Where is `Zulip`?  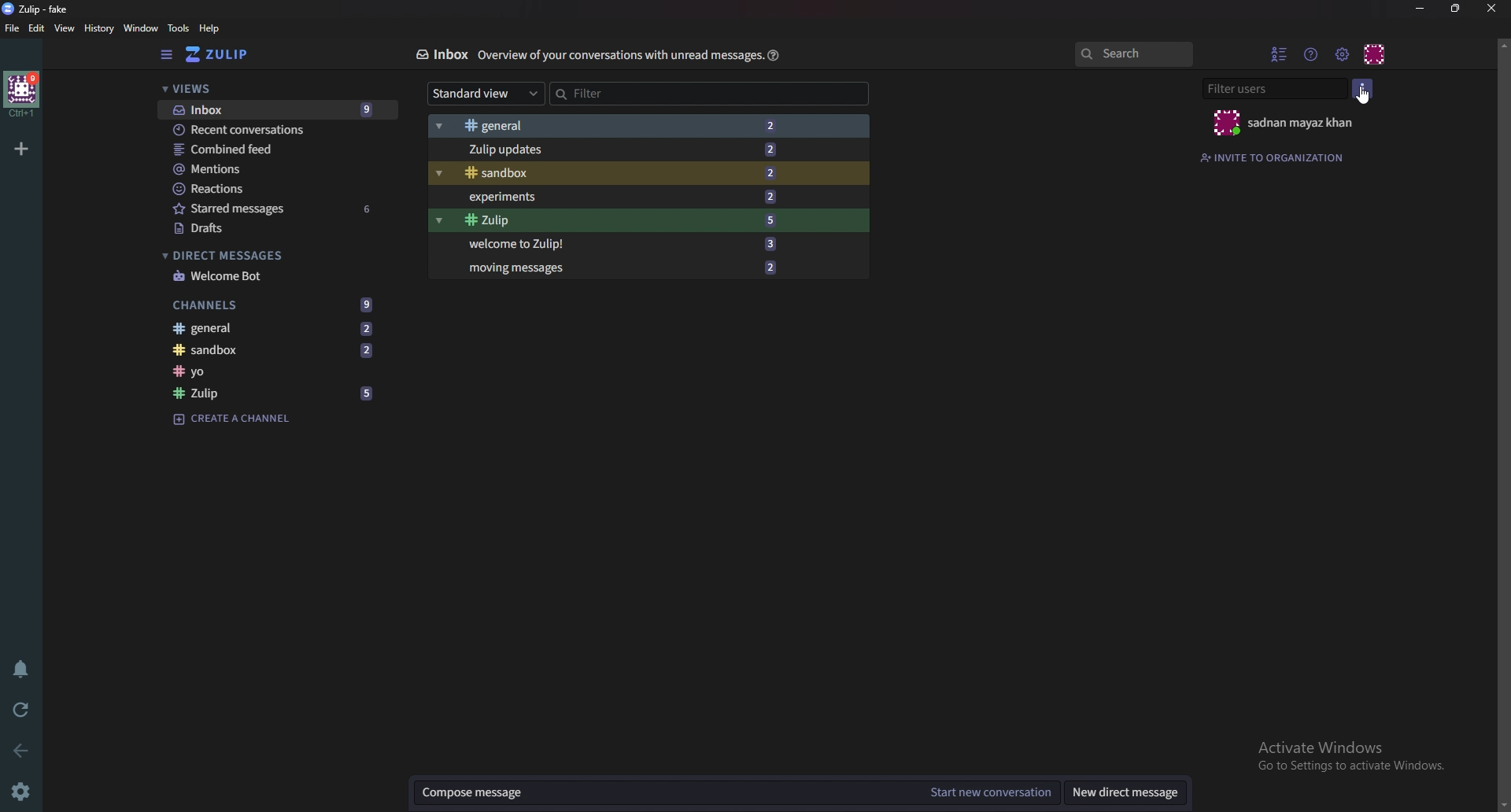 Zulip is located at coordinates (276, 392).